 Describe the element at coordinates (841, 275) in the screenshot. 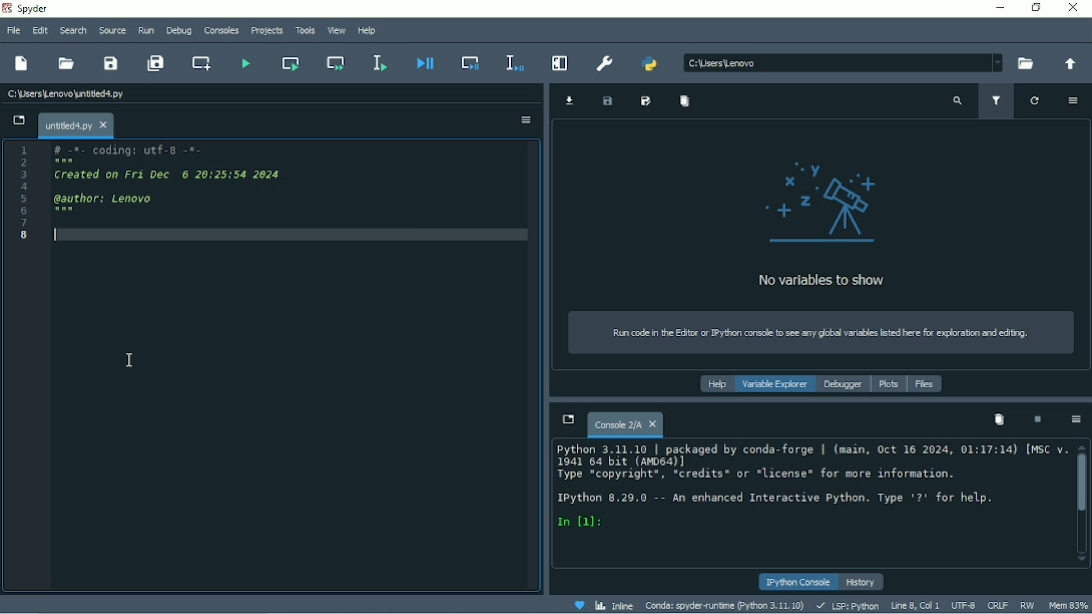

I see `No variables to show` at that location.